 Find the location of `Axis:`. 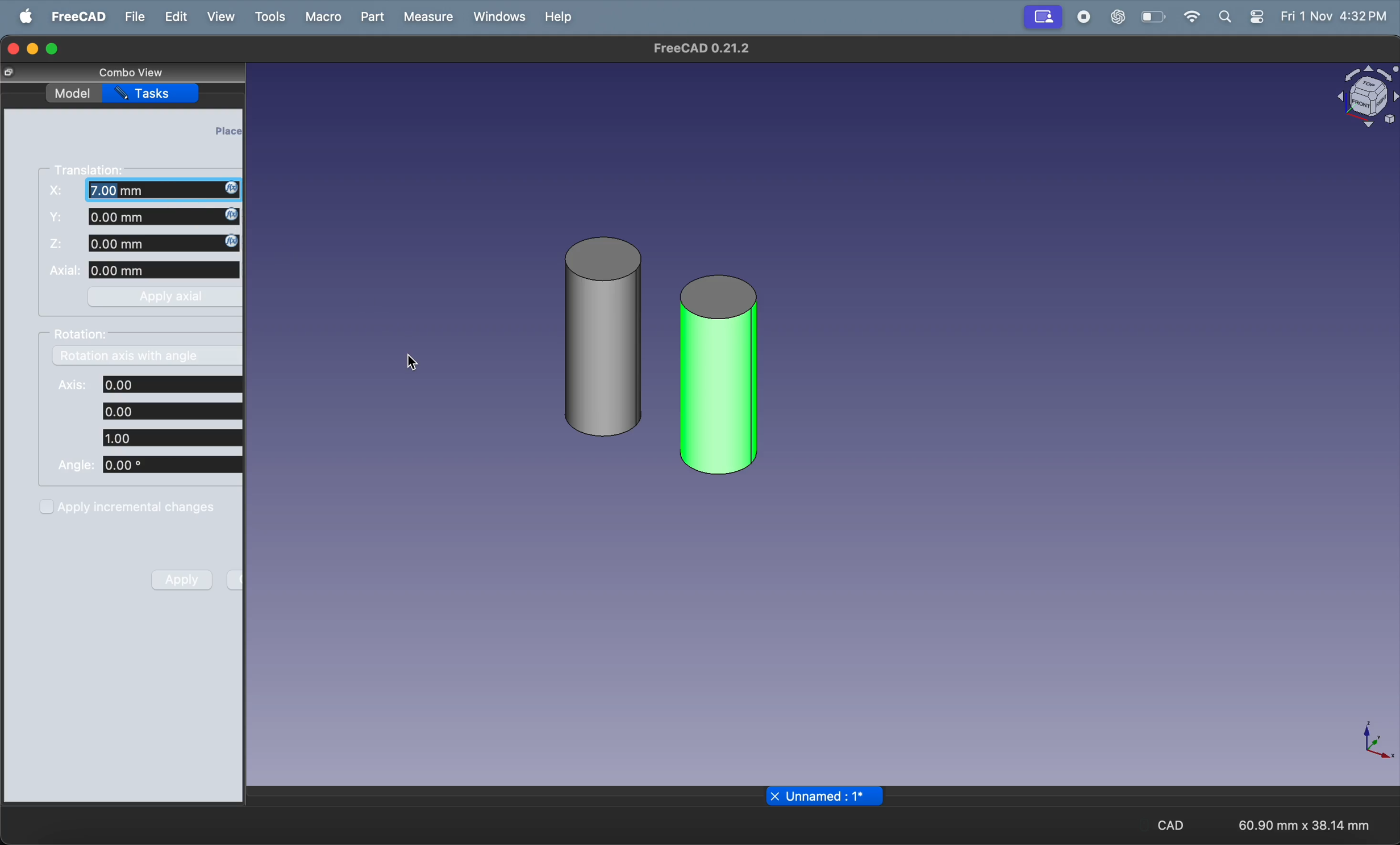

Axis: is located at coordinates (69, 386).